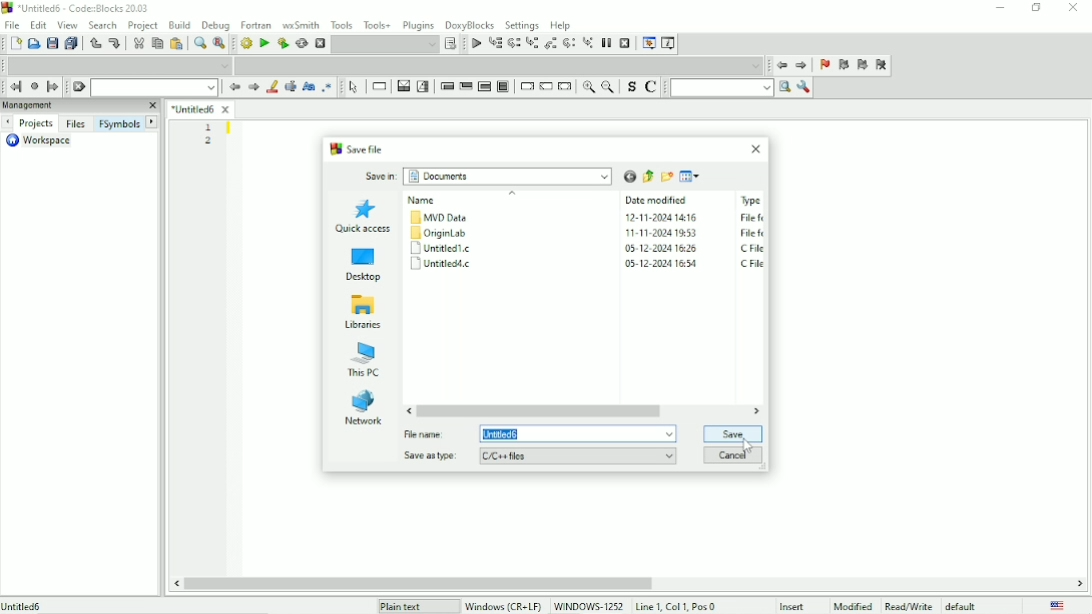 This screenshot has width=1092, height=614. I want to click on Decision, so click(403, 87).